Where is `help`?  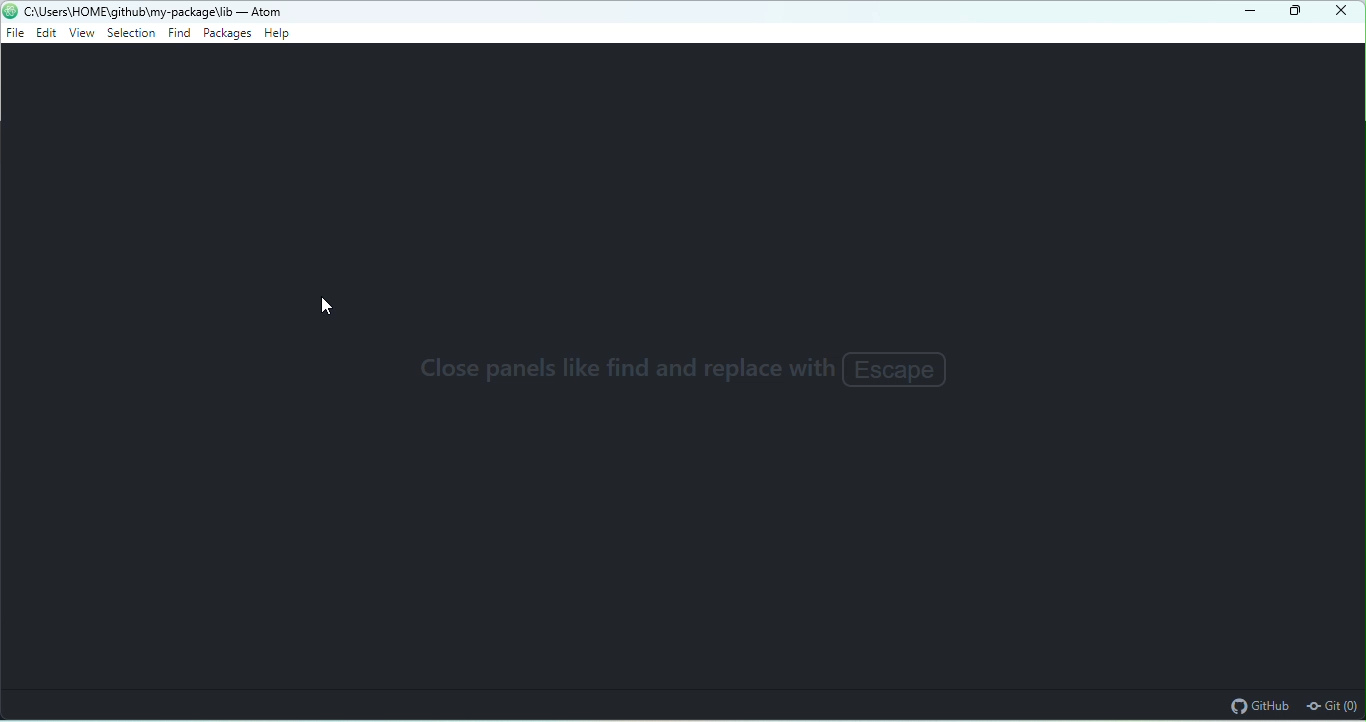 help is located at coordinates (278, 32).